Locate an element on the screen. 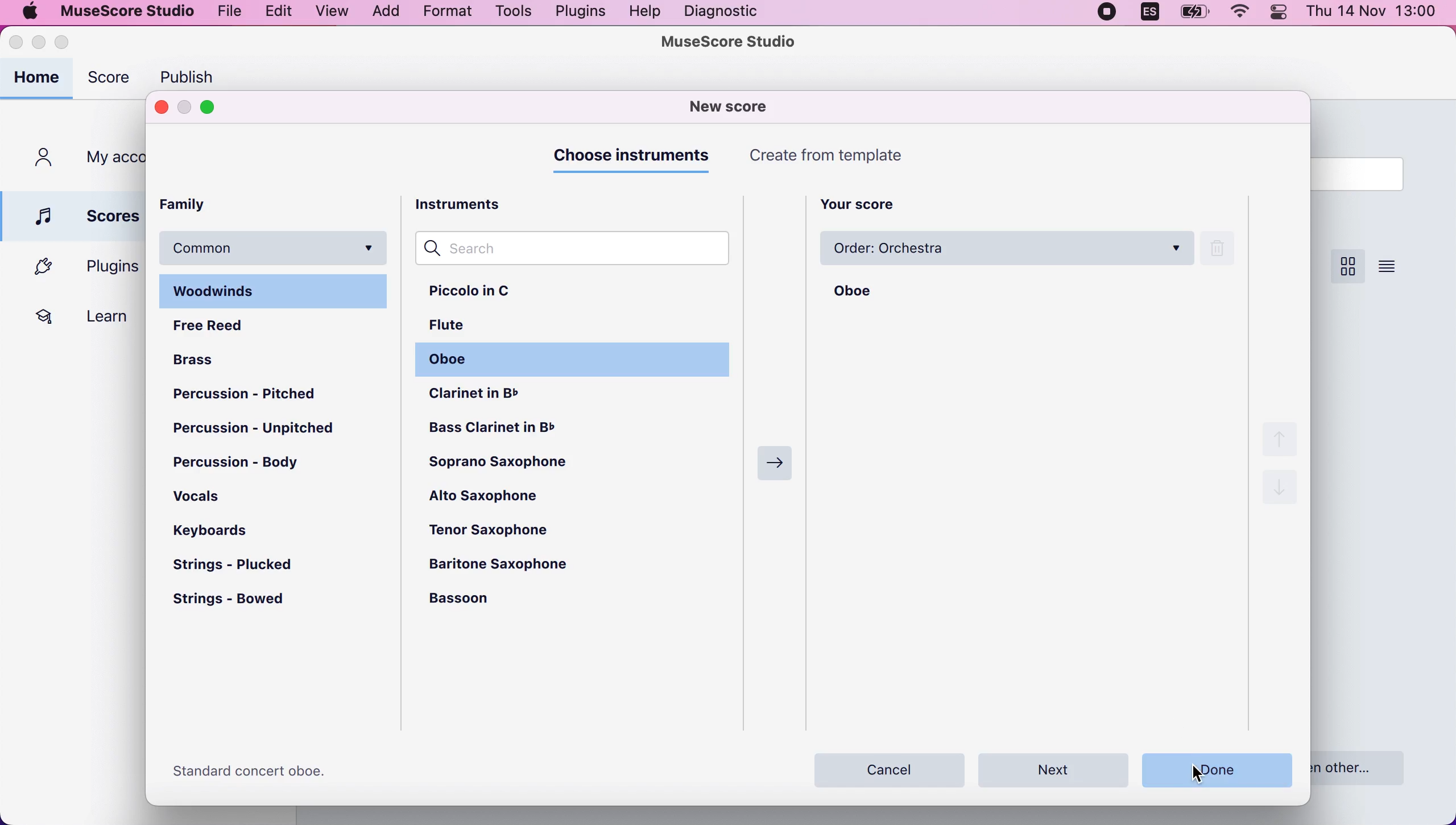 Image resolution: width=1456 pixels, height=825 pixels. wifi is located at coordinates (1243, 15).